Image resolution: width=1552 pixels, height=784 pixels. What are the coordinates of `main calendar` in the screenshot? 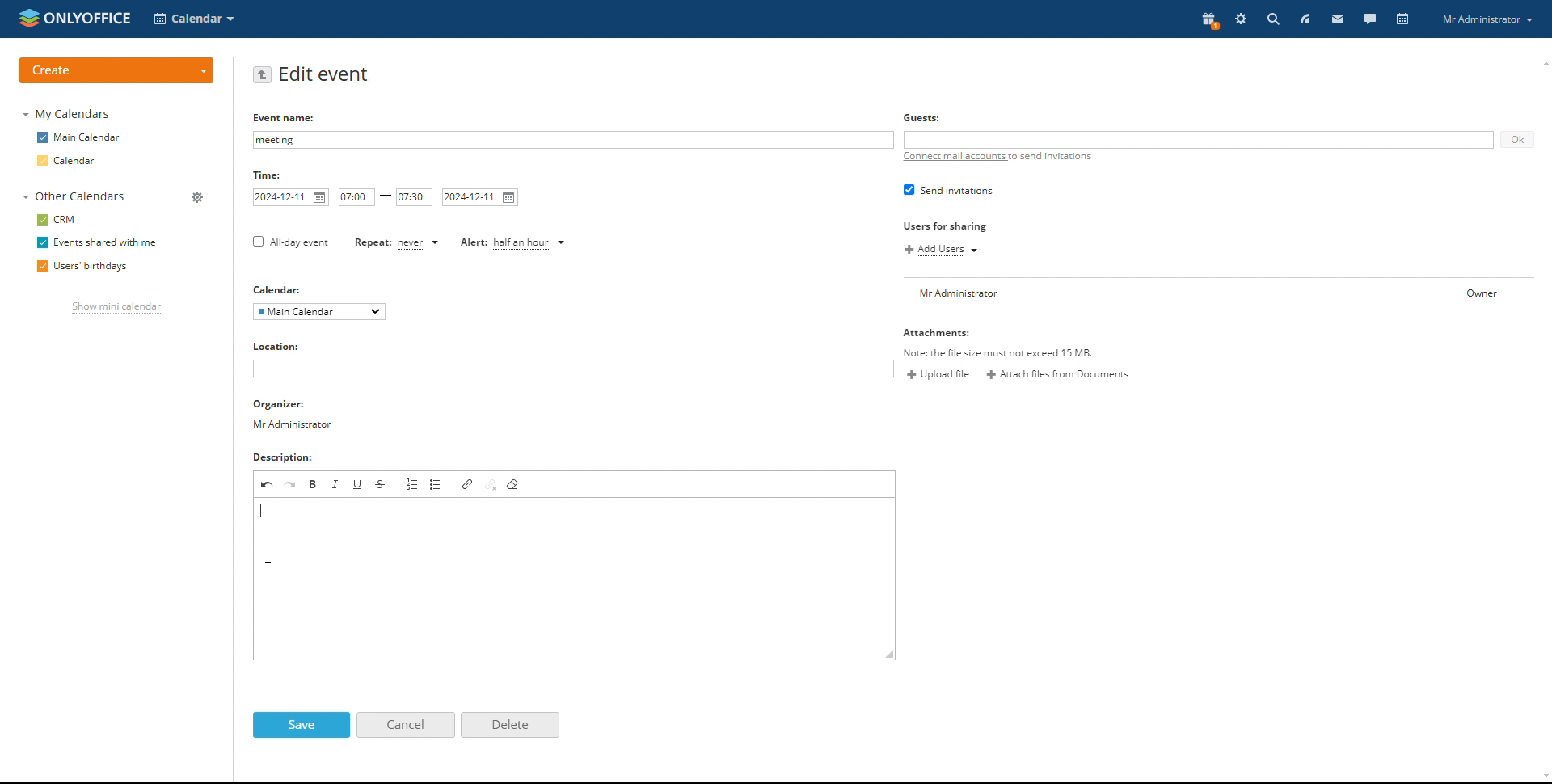 It's located at (79, 137).